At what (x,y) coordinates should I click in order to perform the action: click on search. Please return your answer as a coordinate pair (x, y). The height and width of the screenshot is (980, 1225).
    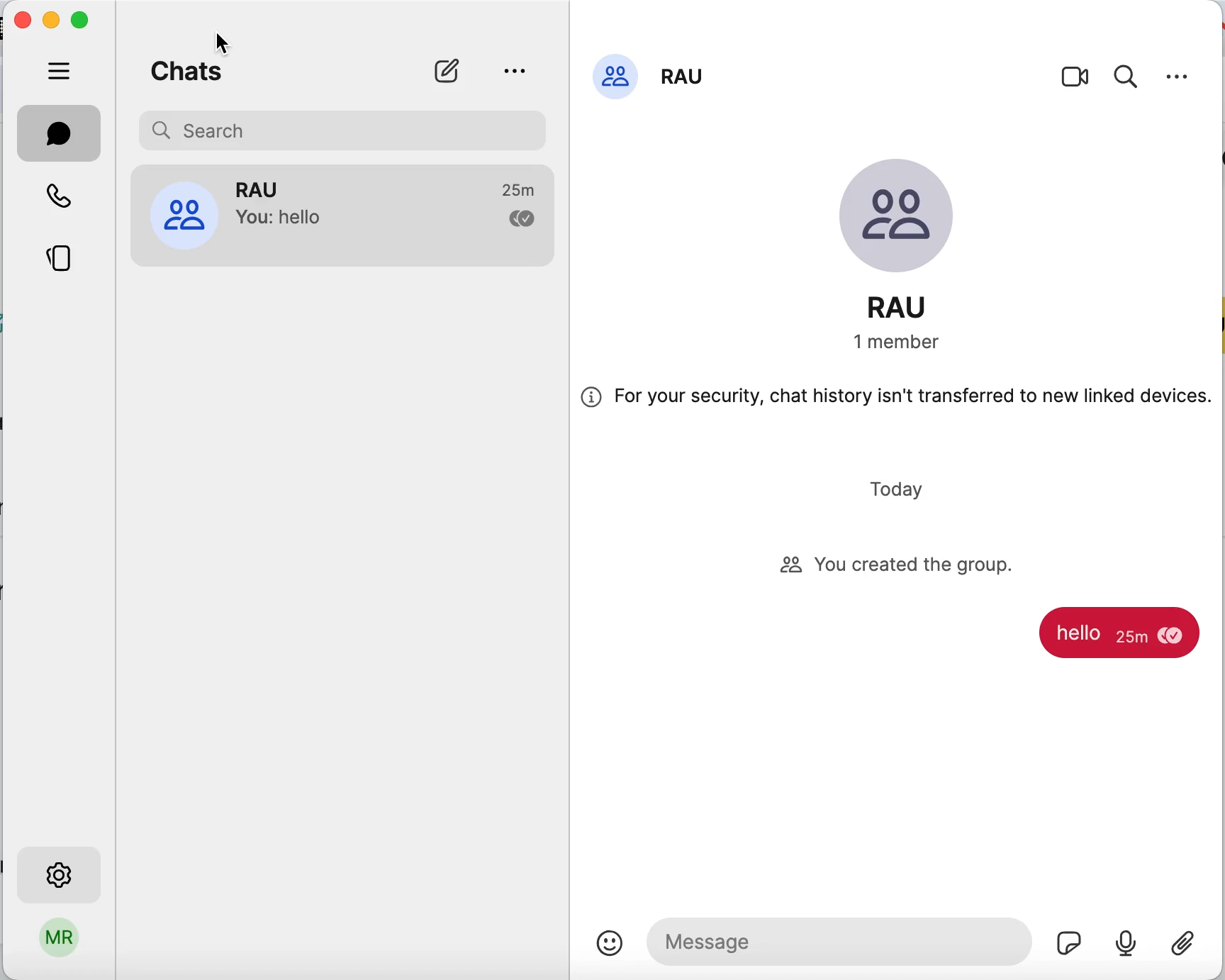
    Looking at the image, I should click on (344, 130).